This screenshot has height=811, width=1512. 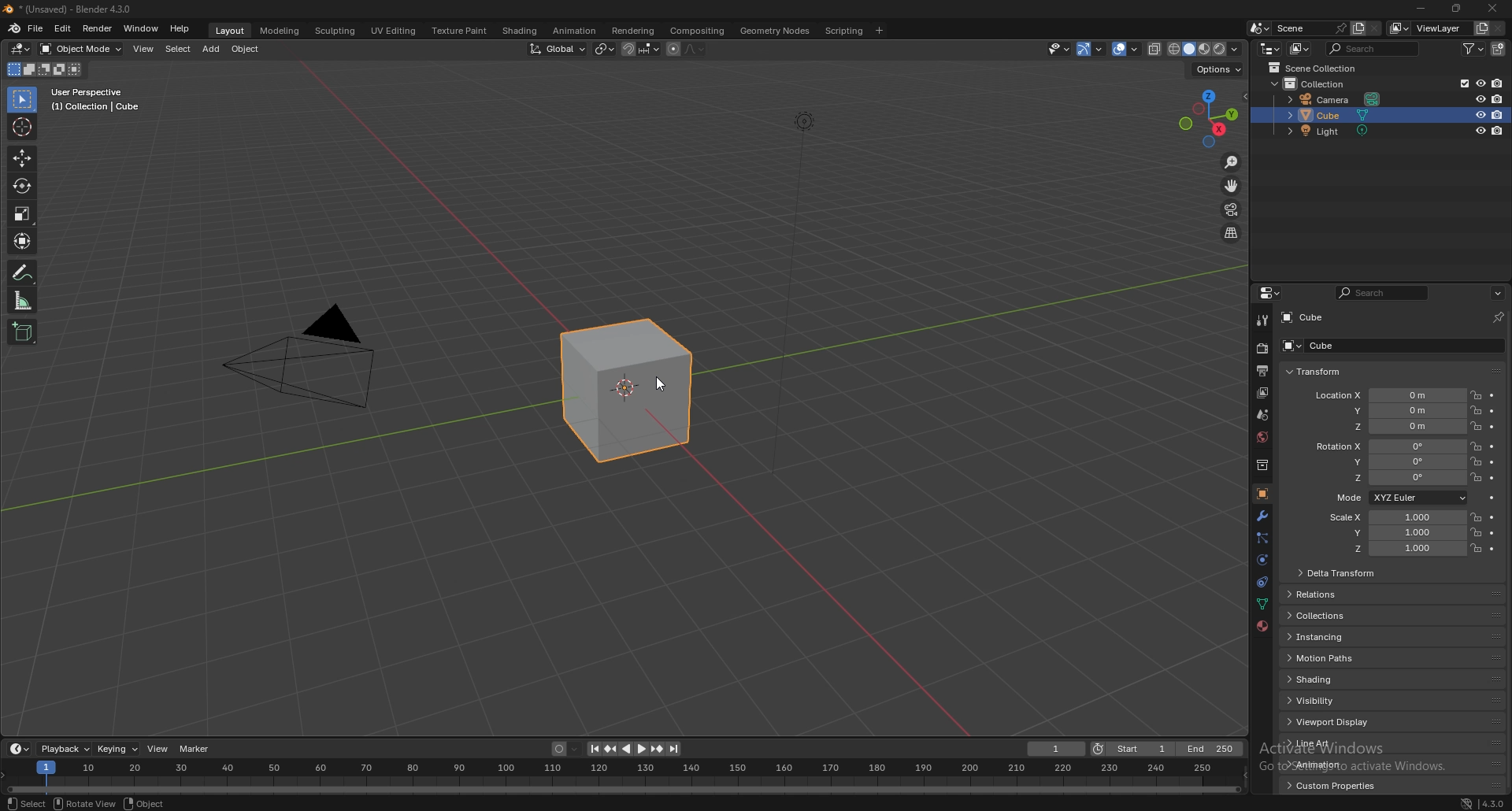 I want to click on constraints, so click(x=1262, y=583).